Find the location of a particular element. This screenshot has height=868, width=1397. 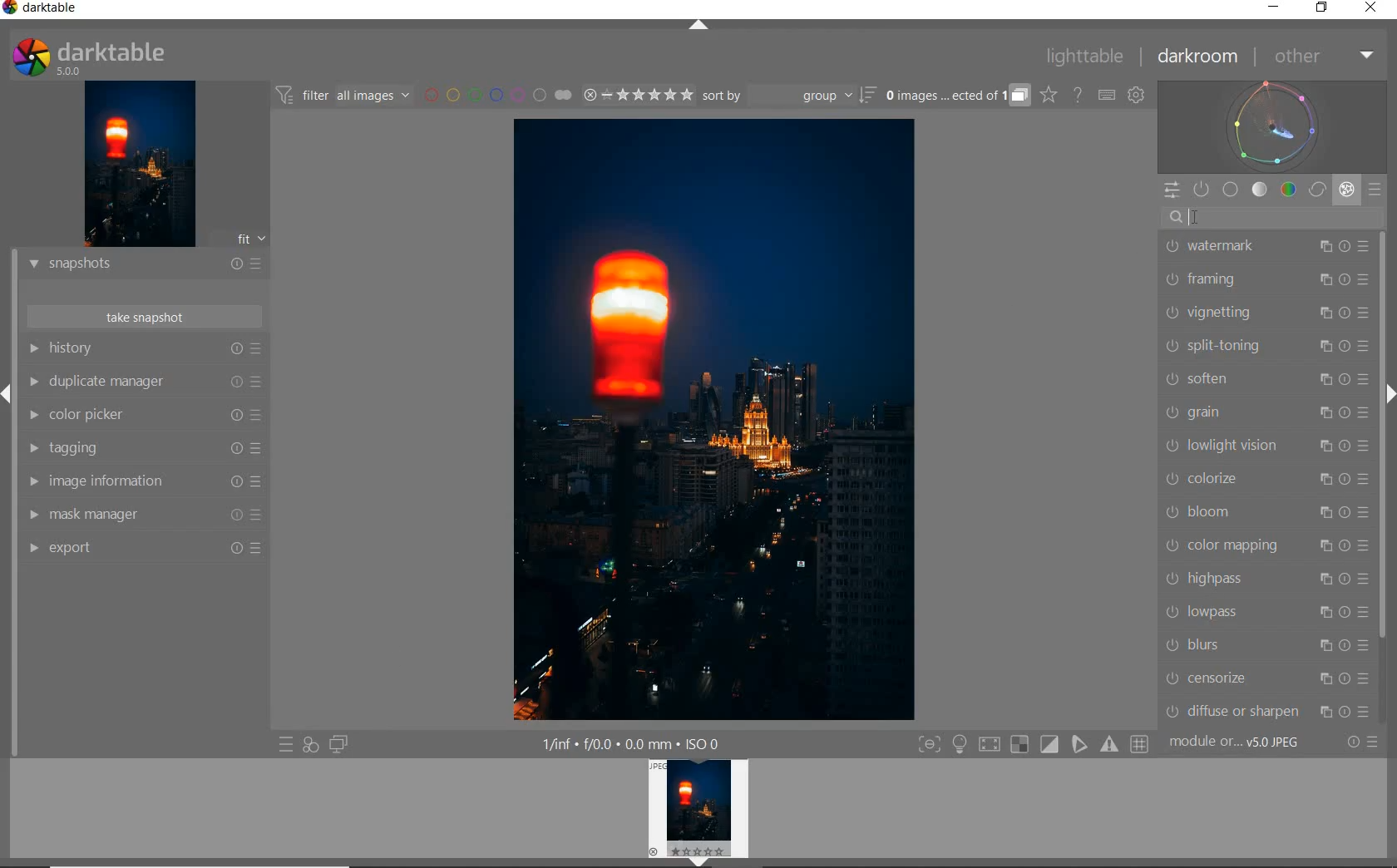

COLOR is located at coordinates (1288, 190).